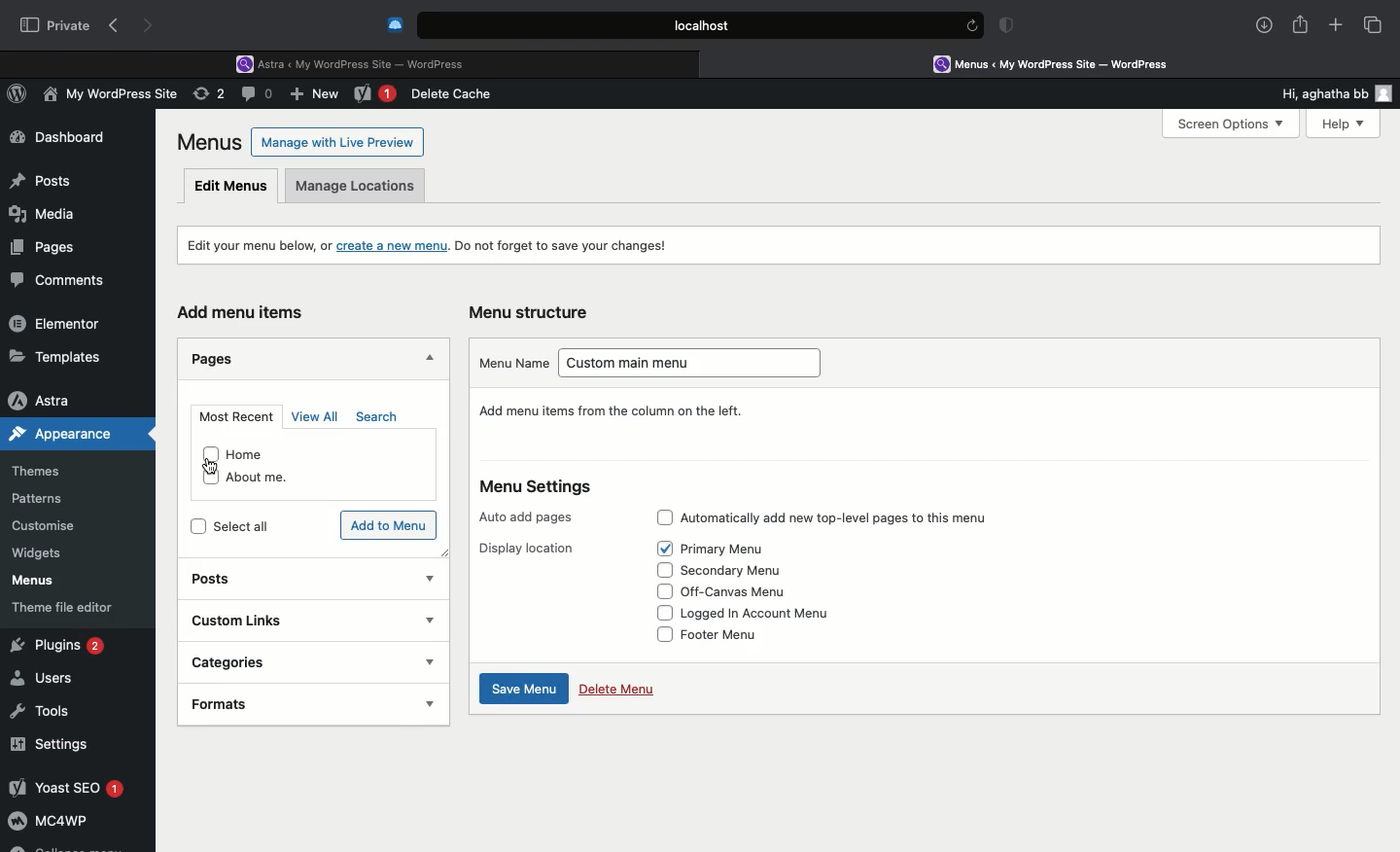 This screenshot has width=1400, height=852. Describe the element at coordinates (291, 659) in the screenshot. I see `Categories` at that location.